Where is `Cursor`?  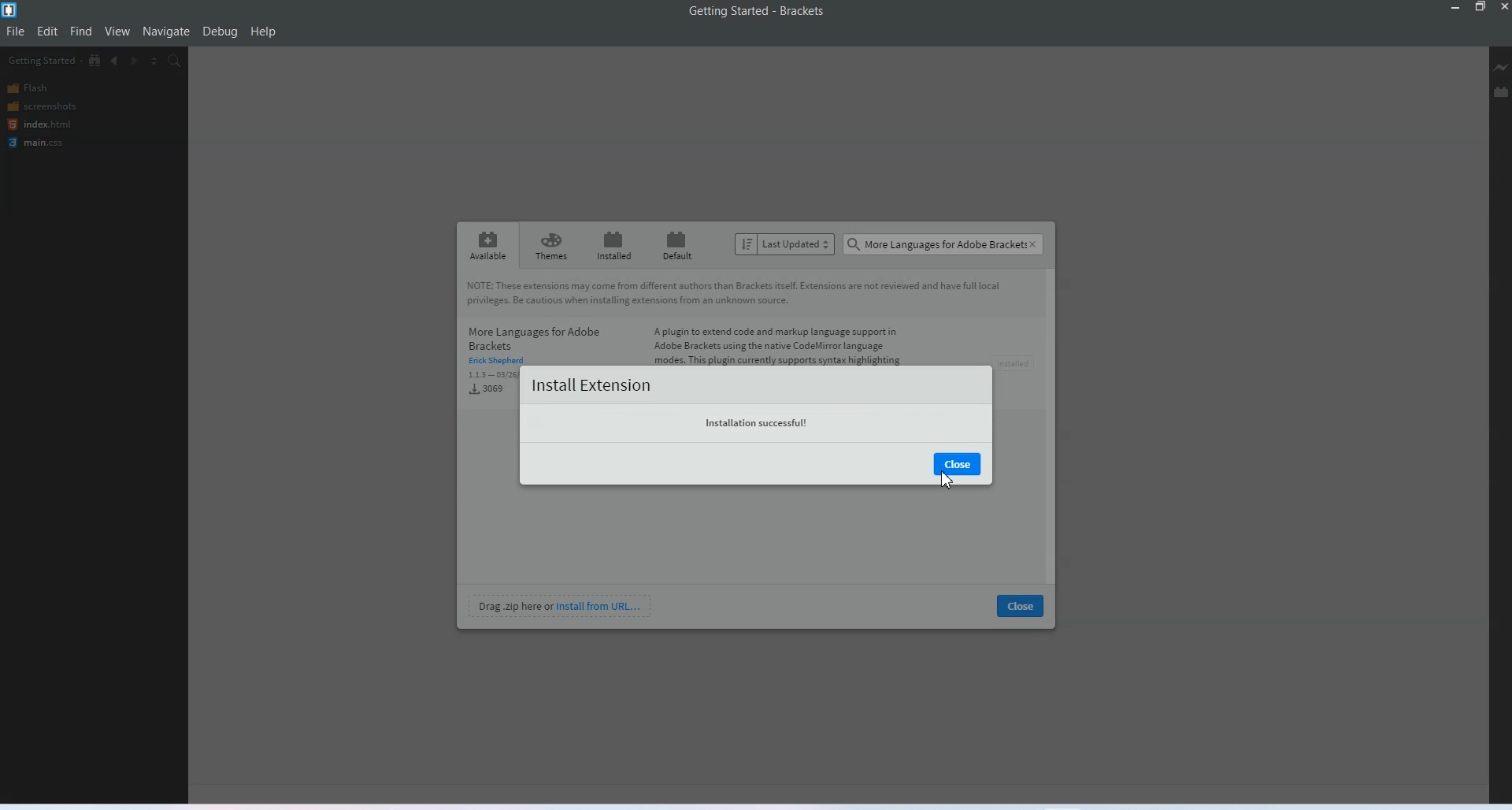
Cursor is located at coordinates (947, 481).